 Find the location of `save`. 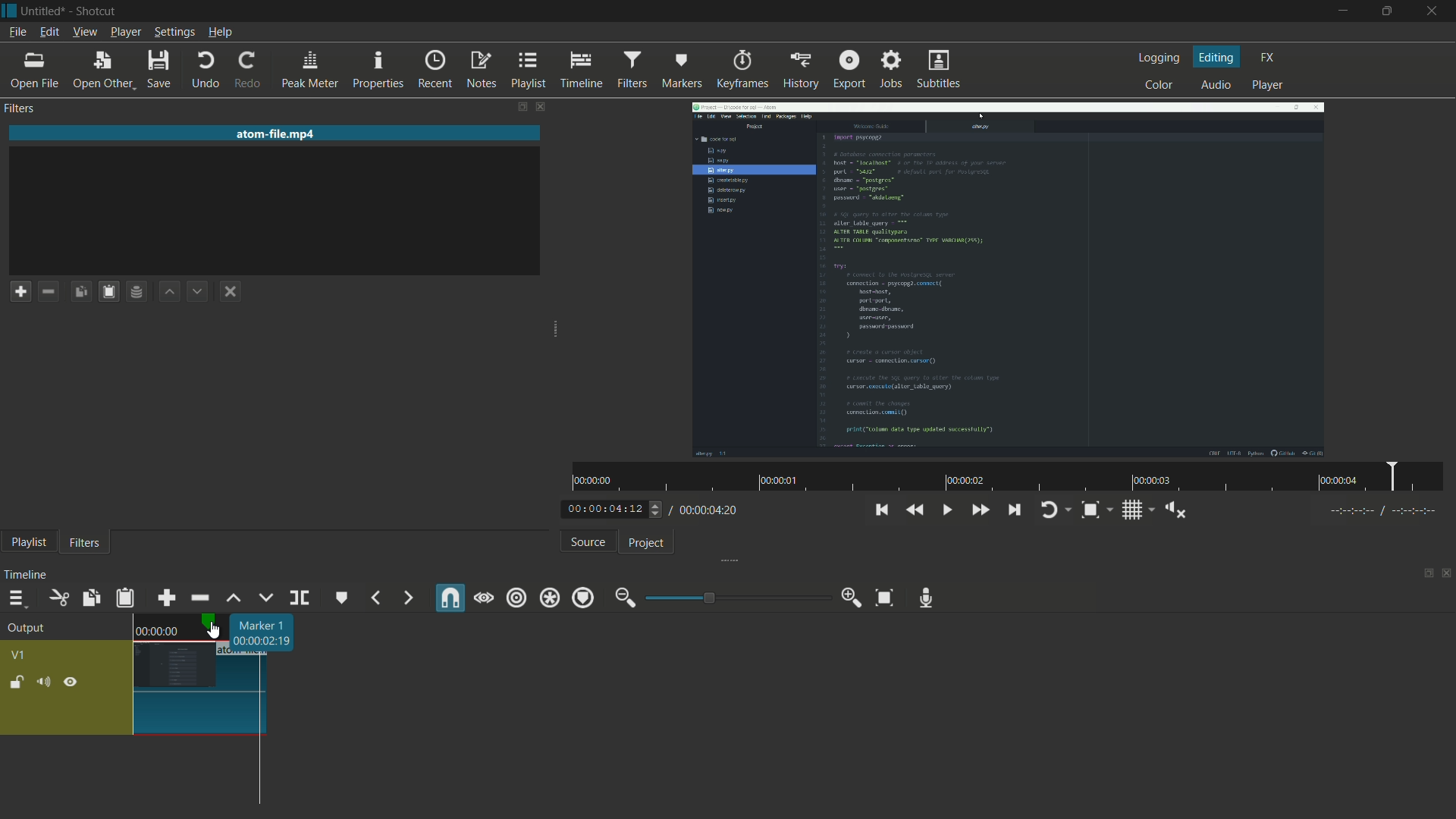

save is located at coordinates (158, 71).